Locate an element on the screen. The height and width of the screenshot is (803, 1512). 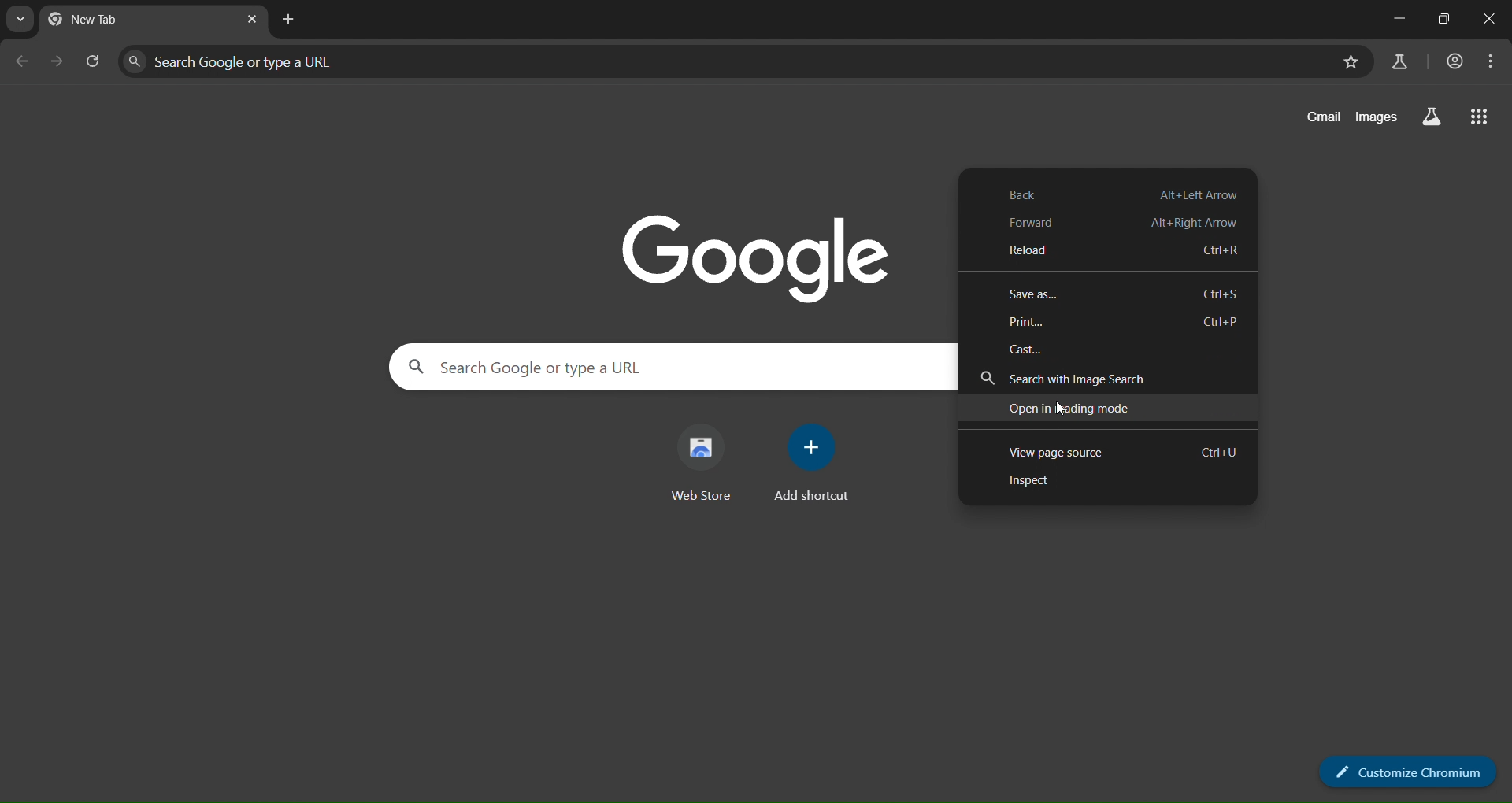
web store is located at coordinates (709, 461).